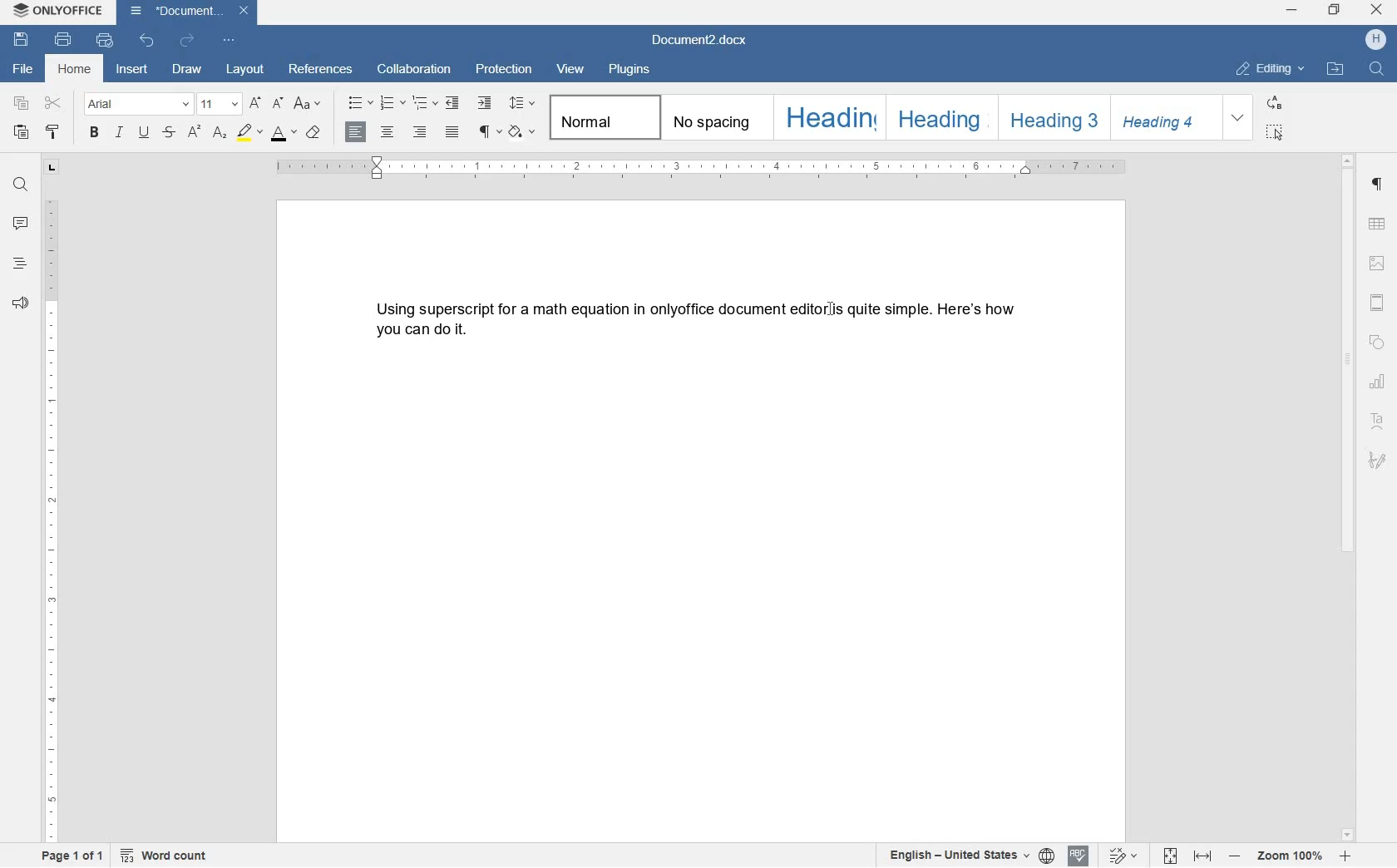 This screenshot has height=868, width=1397. What do you see at coordinates (1190, 856) in the screenshot?
I see `fit to page or fit to width` at bounding box center [1190, 856].